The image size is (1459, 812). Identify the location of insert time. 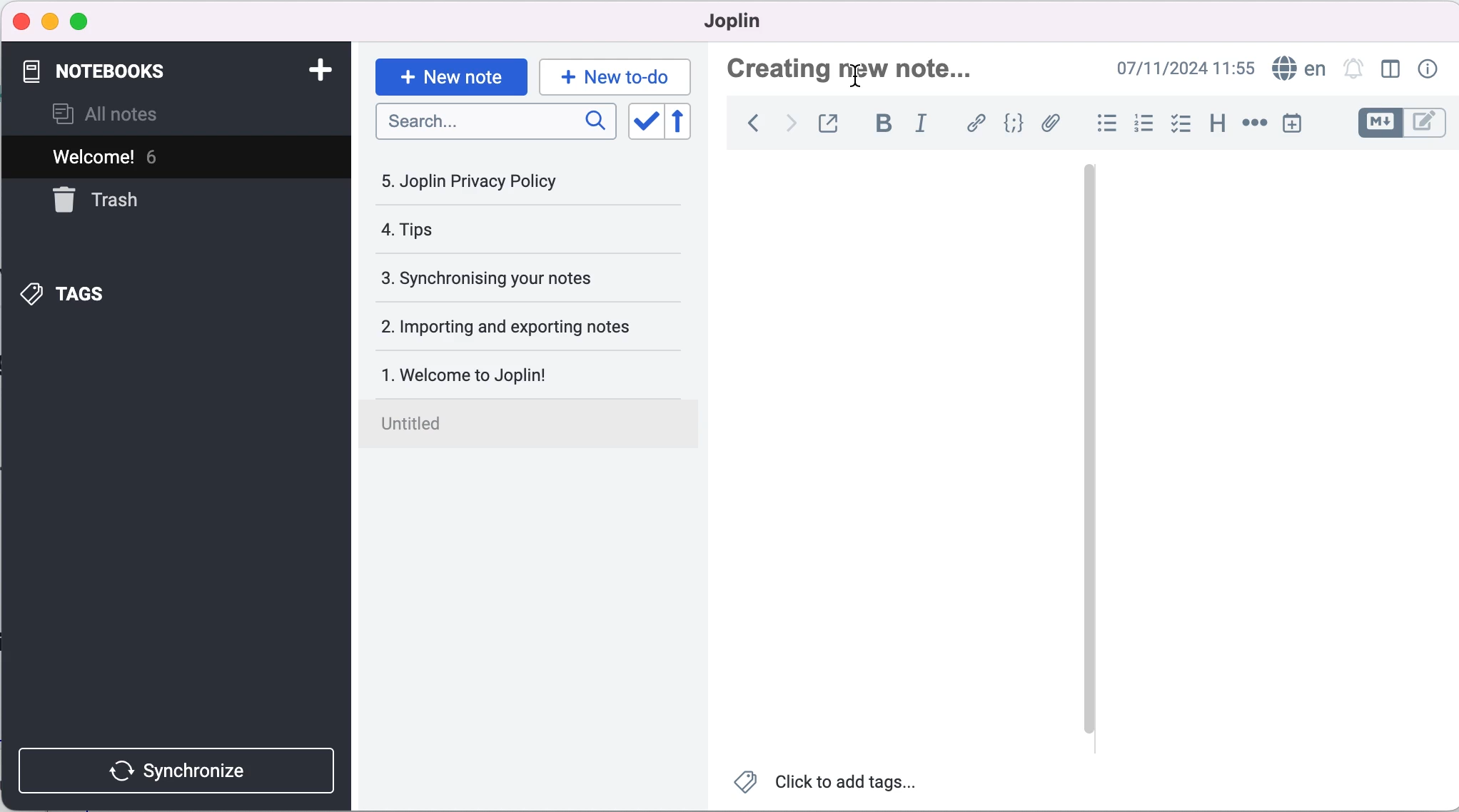
(1301, 123).